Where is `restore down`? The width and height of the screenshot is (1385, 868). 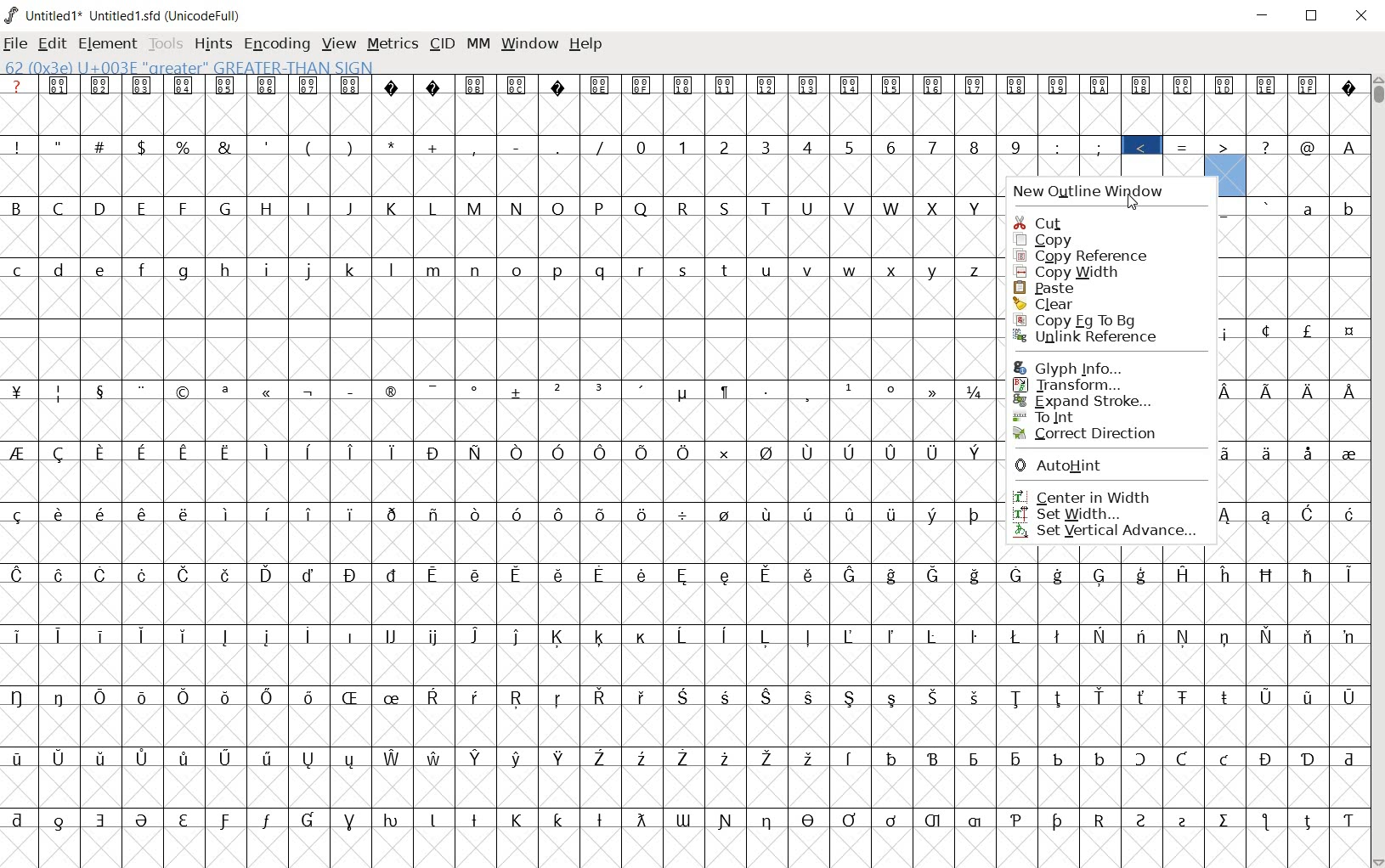
restore down is located at coordinates (1313, 15).